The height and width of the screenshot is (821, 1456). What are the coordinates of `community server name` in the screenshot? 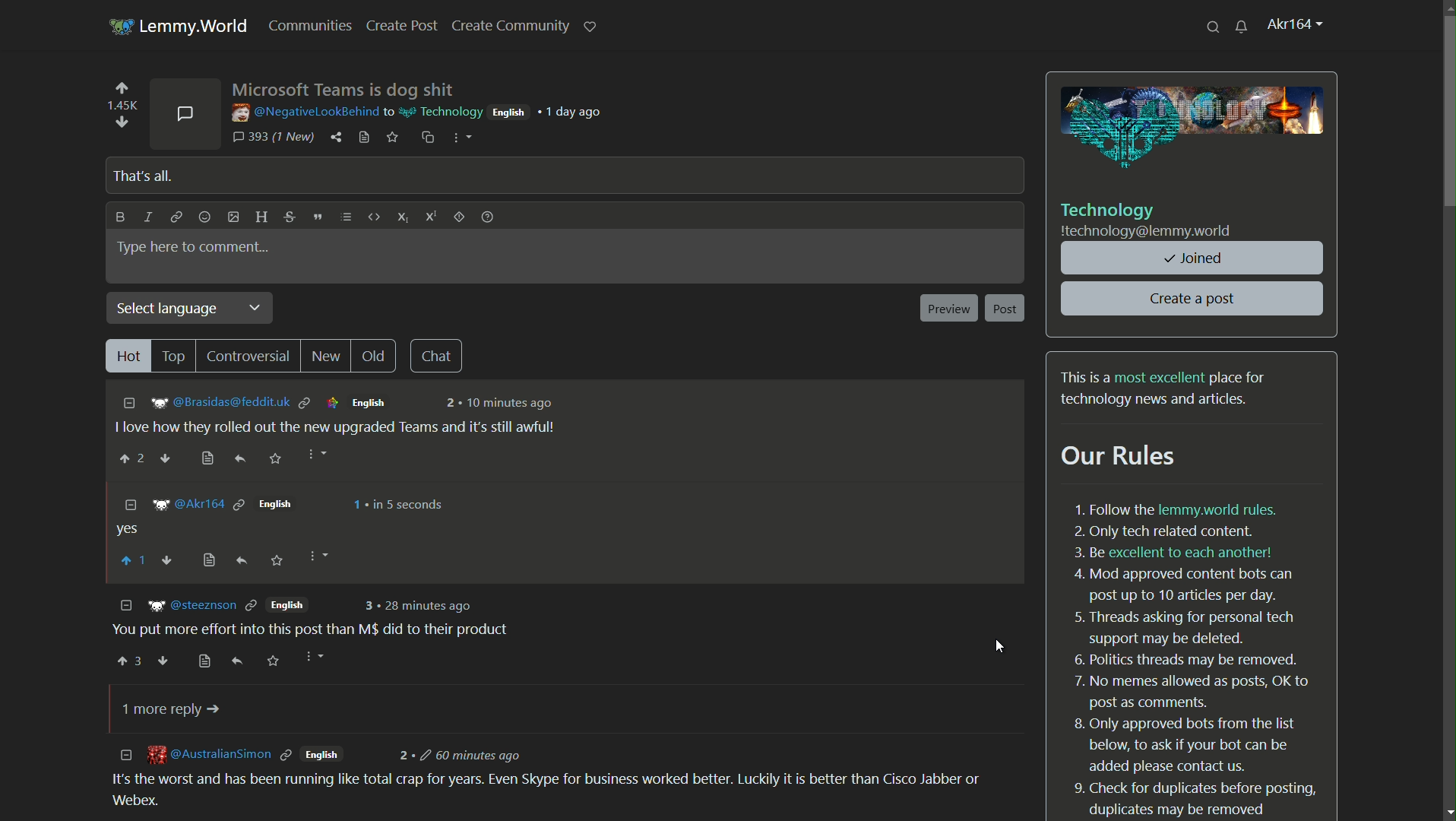 It's located at (1147, 232).